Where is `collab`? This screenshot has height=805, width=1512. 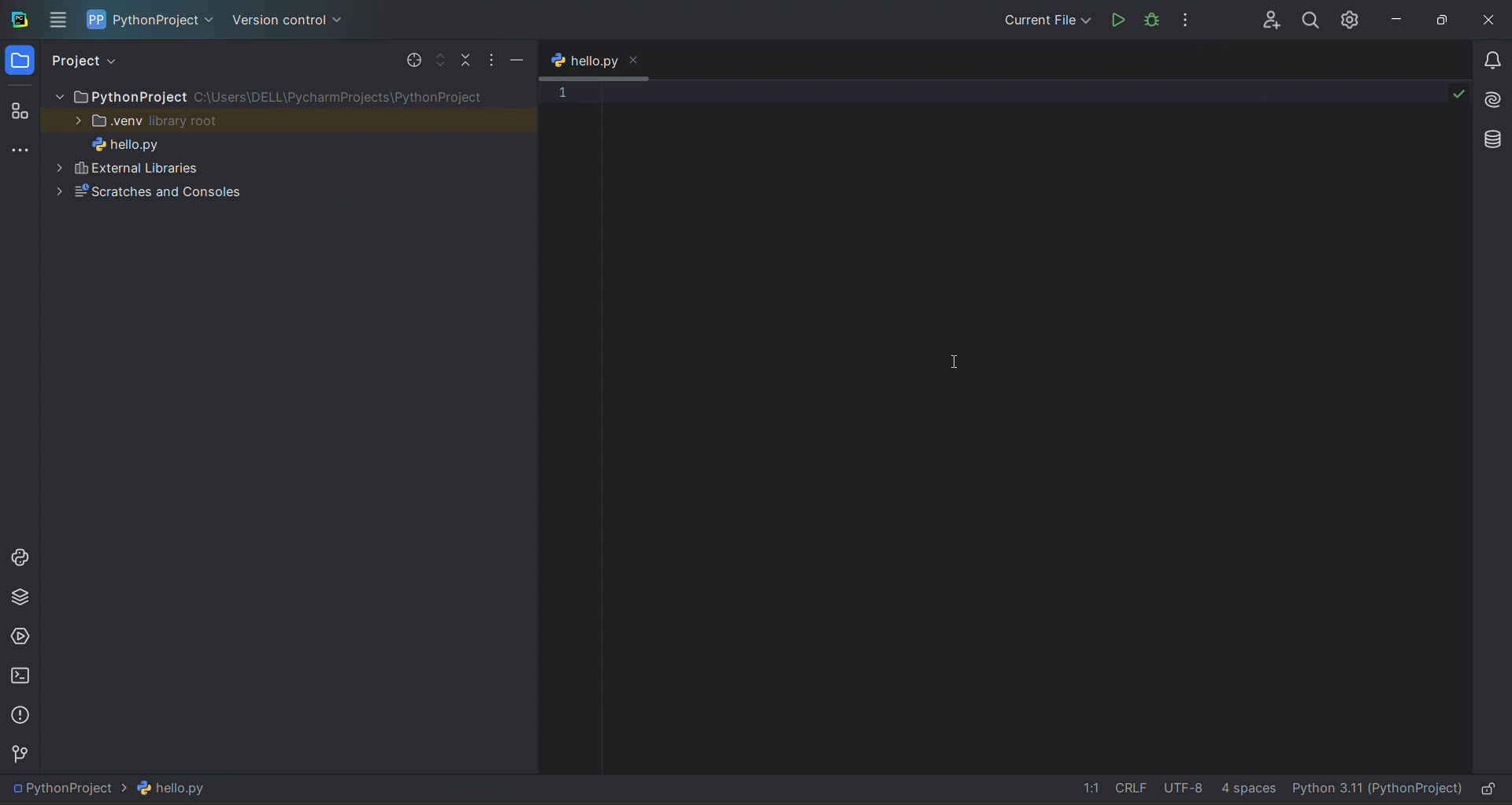
collab is located at coordinates (1279, 20).